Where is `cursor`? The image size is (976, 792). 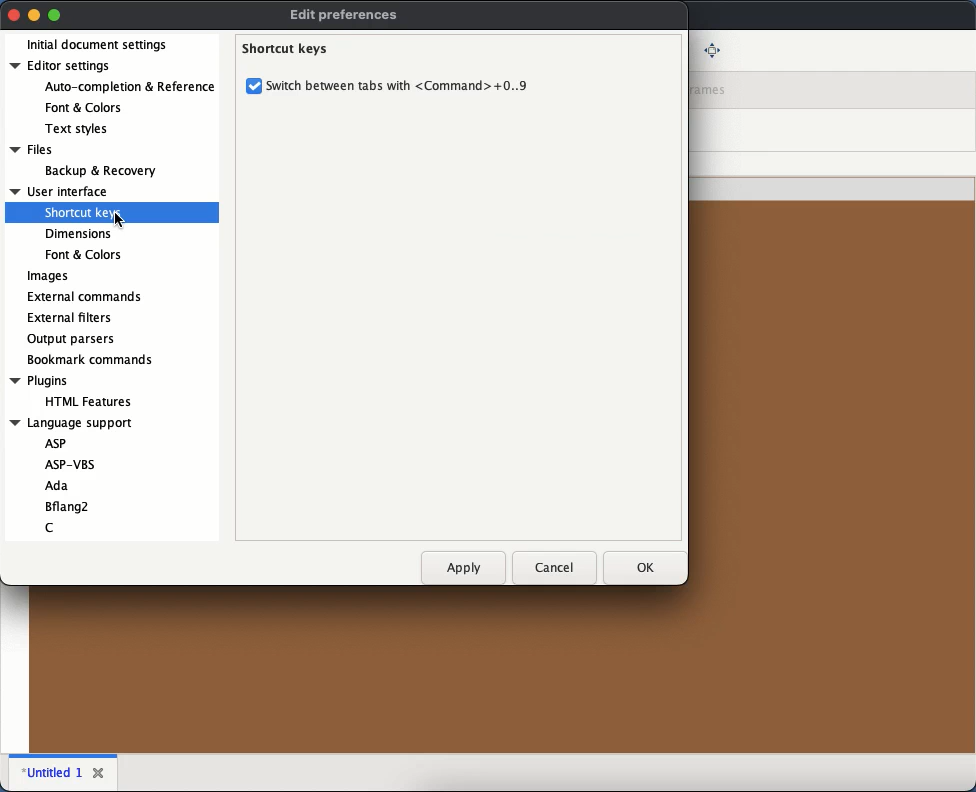
cursor is located at coordinates (121, 220).